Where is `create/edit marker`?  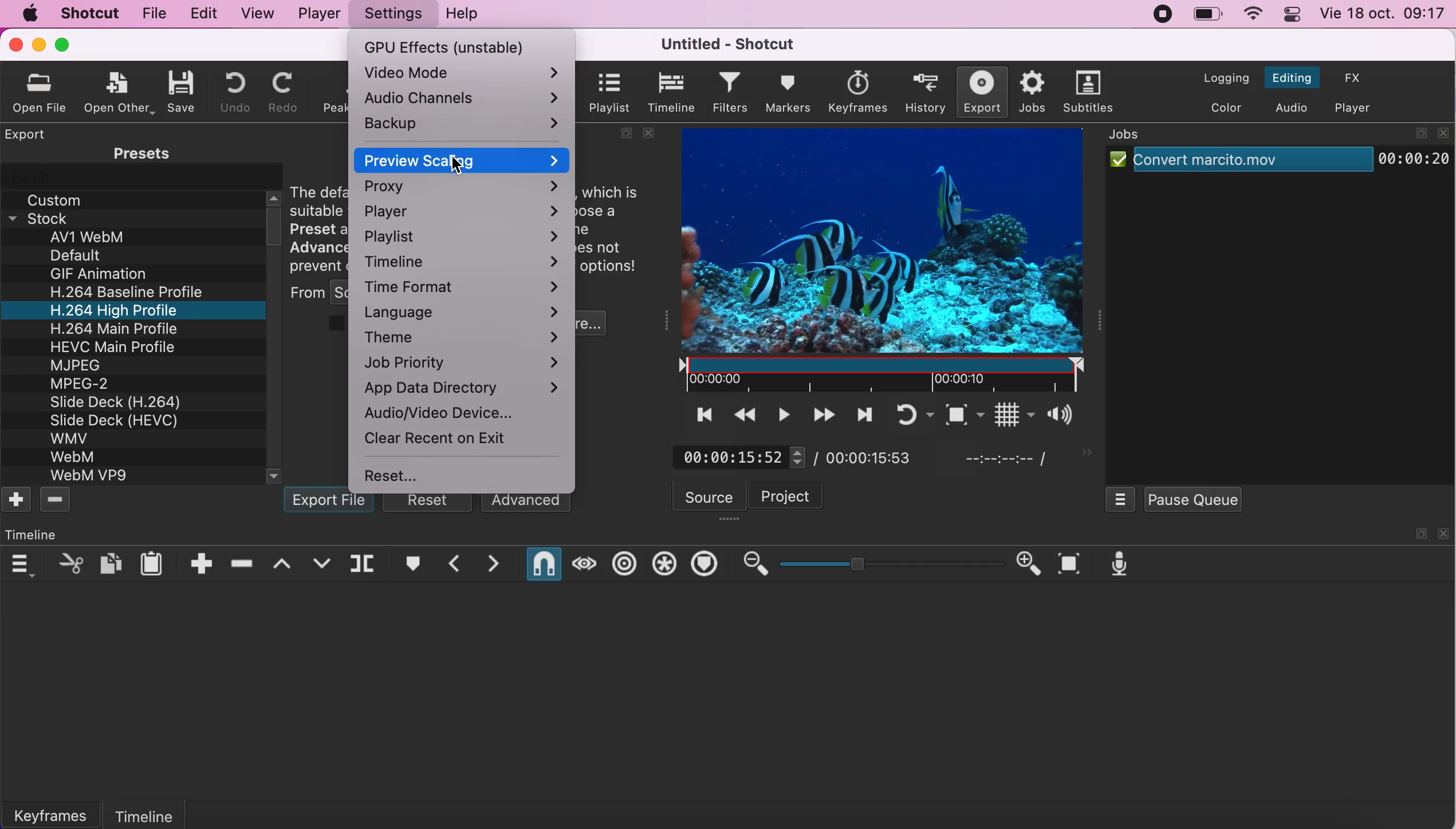
create/edit marker is located at coordinates (408, 566).